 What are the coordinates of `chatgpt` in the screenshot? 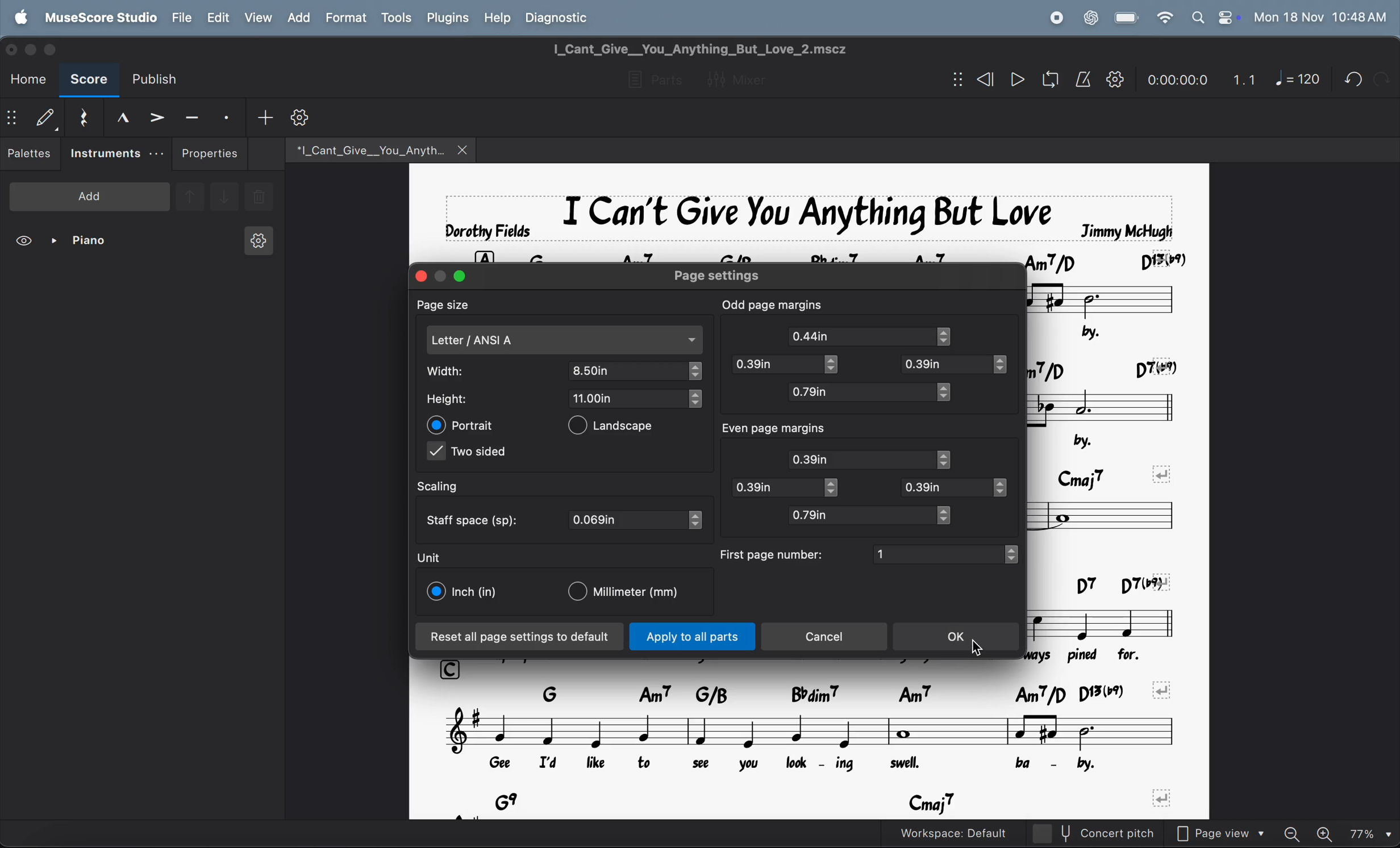 It's located at (1090, 16).